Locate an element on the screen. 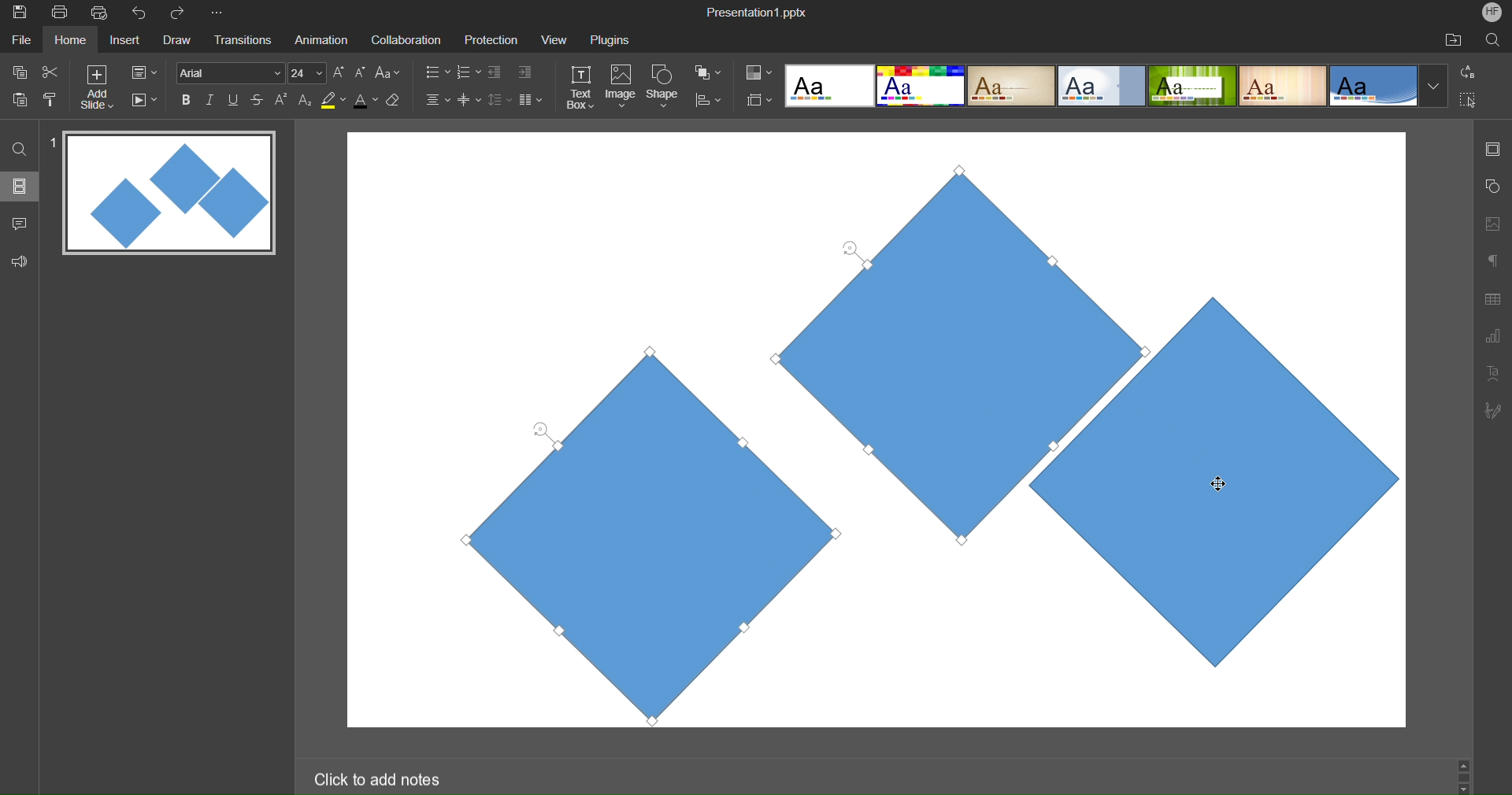 The image size is (1512, 795). Erase Style is located at coordinates (395, 100).